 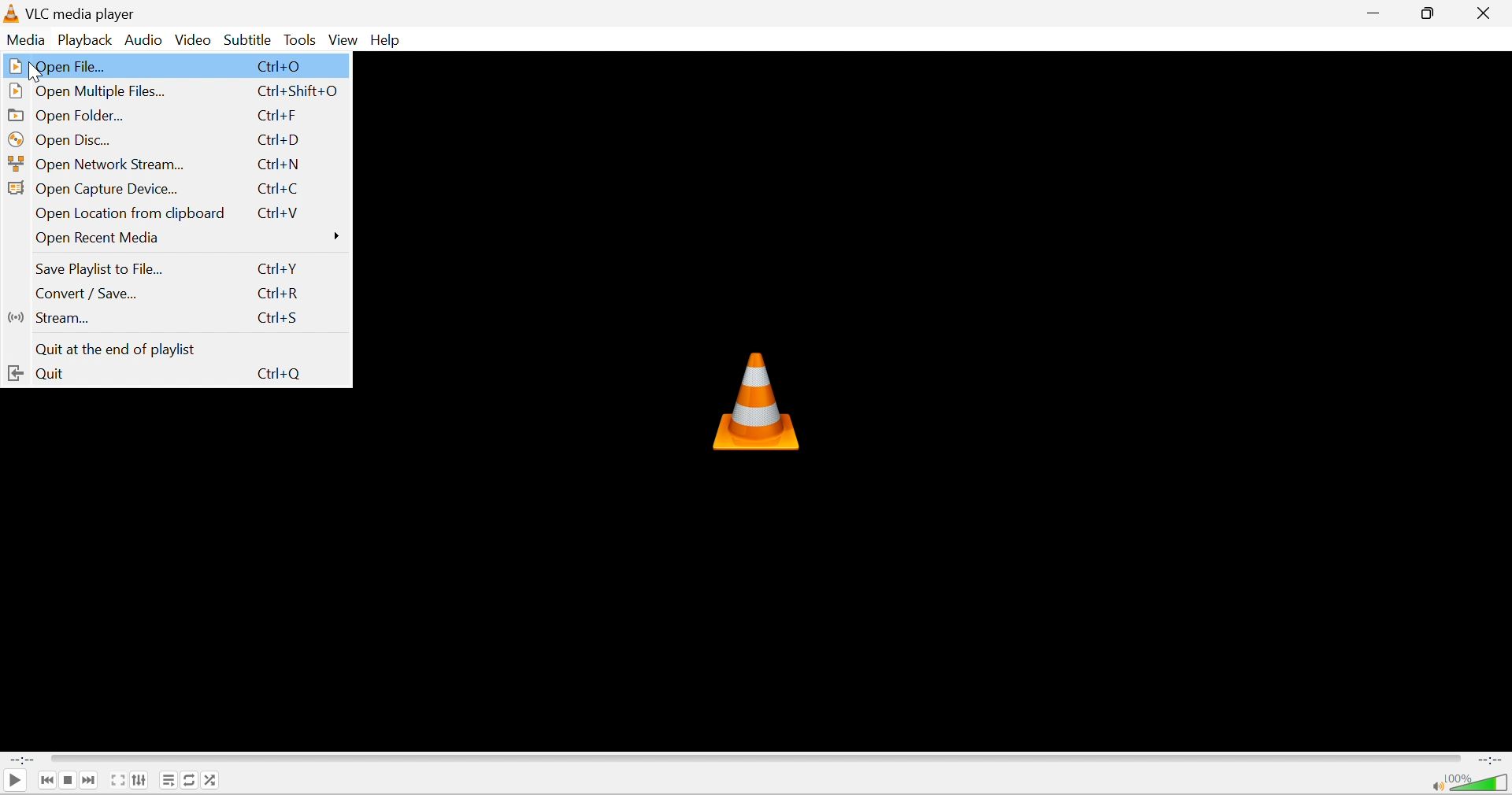 What do you see at coordinates (85, 293) in the screenshot?
I see `Convert/Save` at bounding box center [85, 293].